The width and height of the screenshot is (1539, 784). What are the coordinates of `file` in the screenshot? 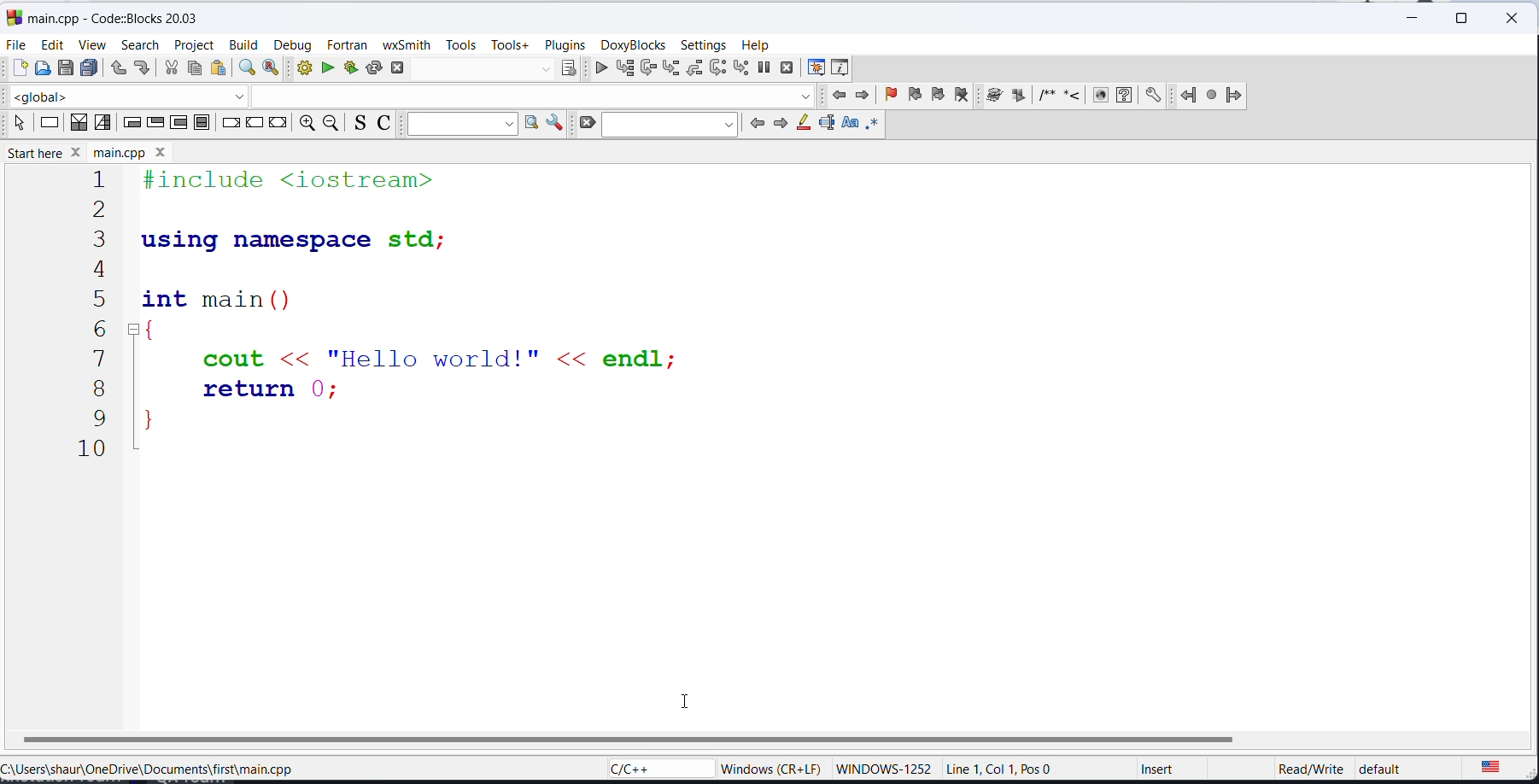 It's located at (18, 44).